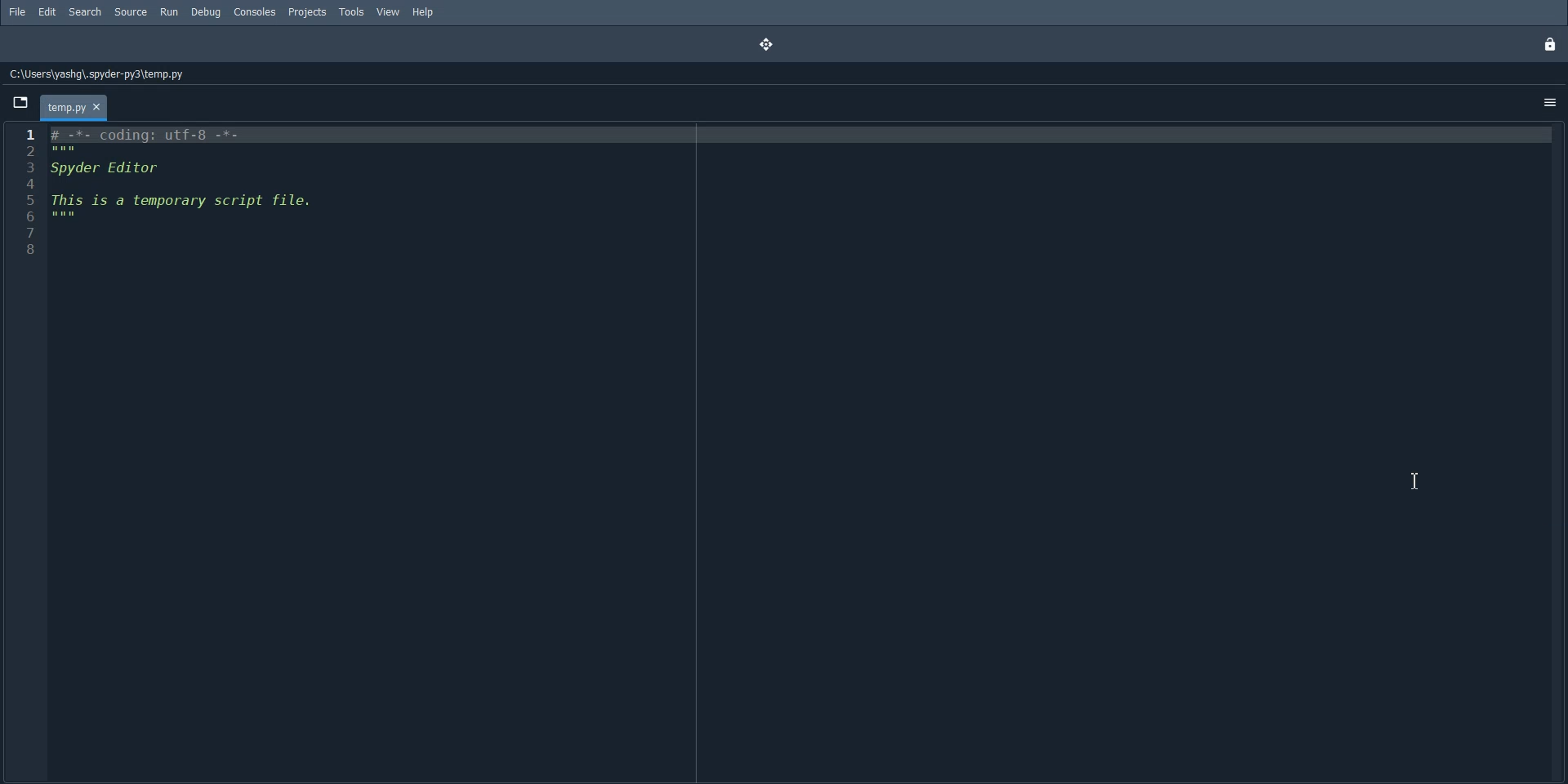  What do you see at coordinates (97, 73) in the screenshot?
I see `C:\Users\yashg\.spyder-py3\temp.py` at bounding box center [97, 73].